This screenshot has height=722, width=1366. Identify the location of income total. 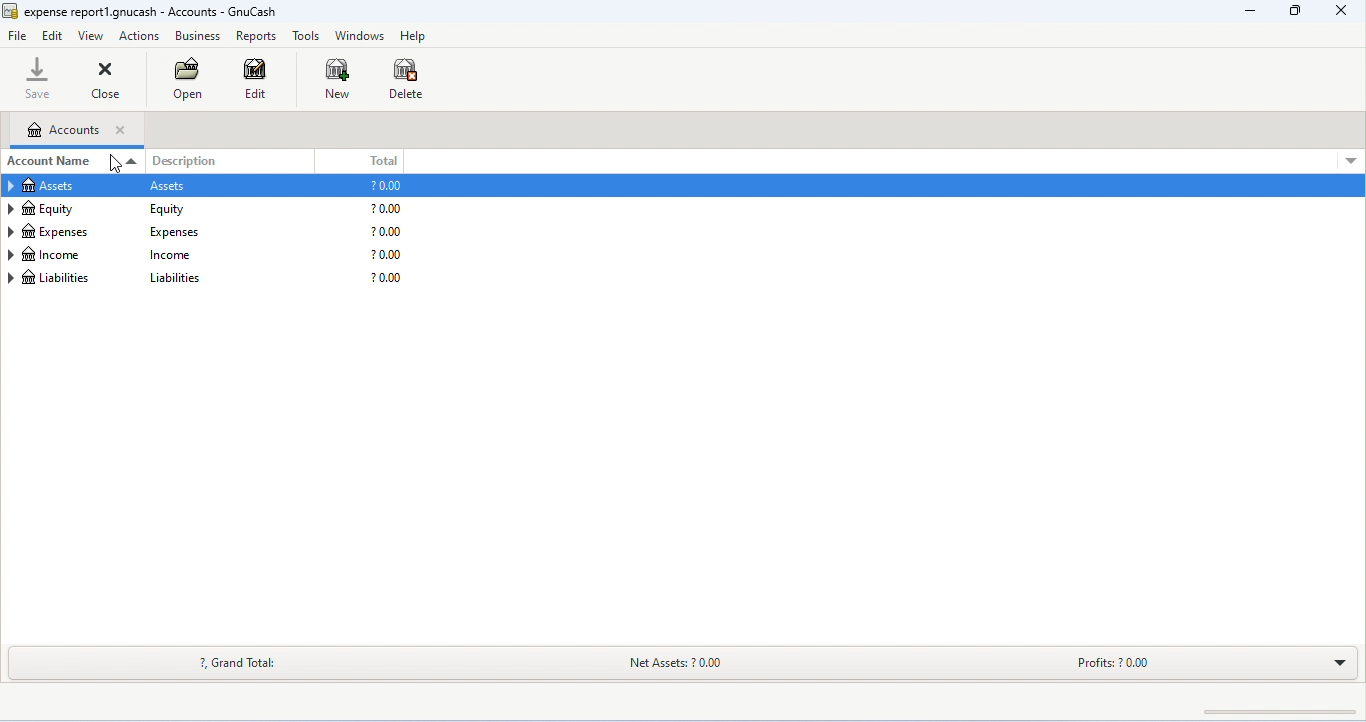
(390, 256).